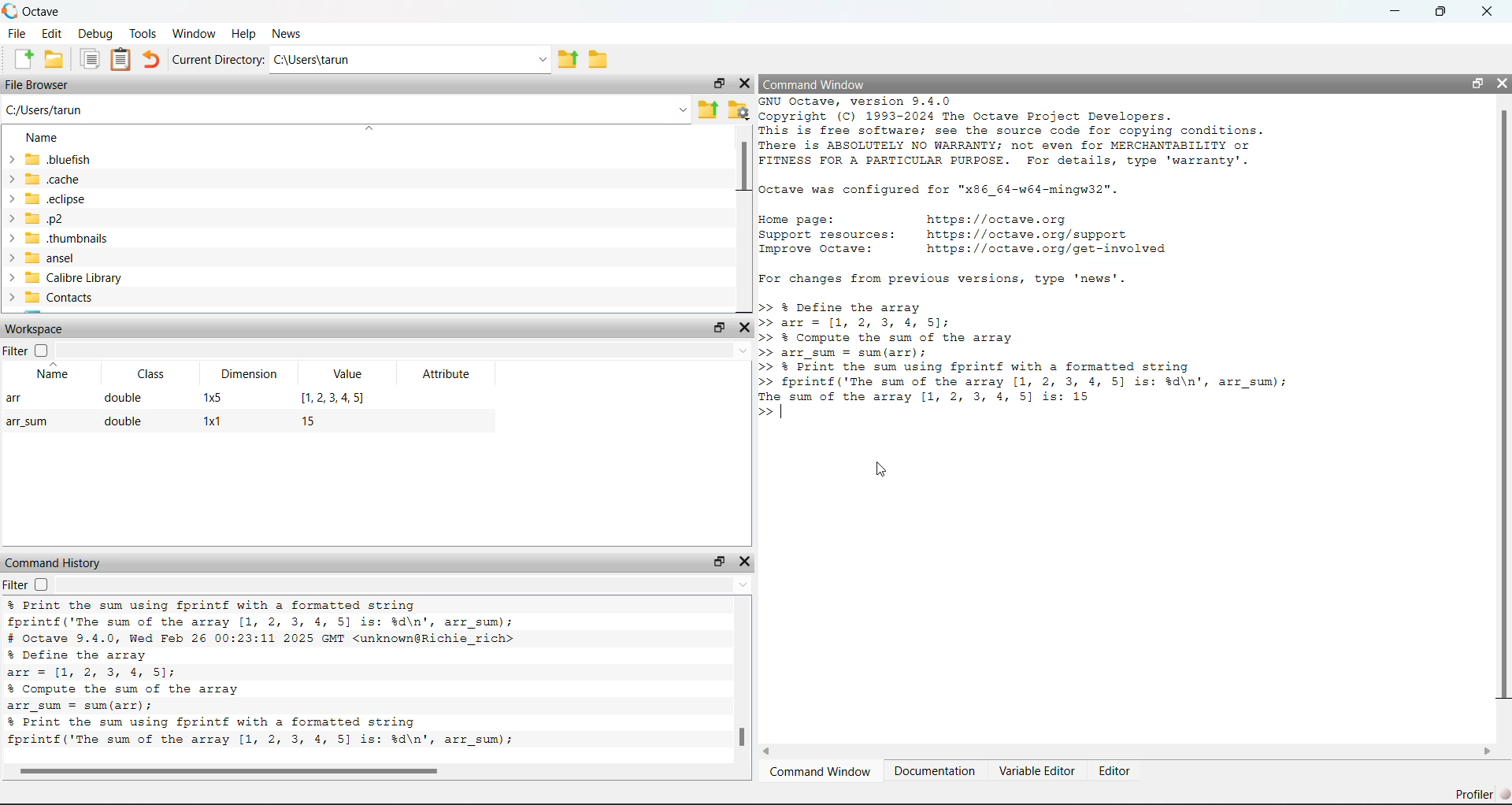 The height and width of the screenshot is (805, 1512). What do you see at coordinates (1032, 191) in the screenshot?
I see `GNU Octave, version 9.4.0

Copyright (C) 1993-2024 The Octave Project Developers.

This is free software; see the source code for copying conditions.
There is ABSOLUTELY NO WARRANTY; not even for MERCHANTABILITY or
FITNESS FOR A PARTICULAR PURPOSE. For details, type 'warranty'.
Octave was configured for "x86_64-w64-mingw32".

Home page: https: //octave.org

Support resources: https: //octave.org/support

Improve Octave: https://octave.org/get-involved

For changes from previous versions, type ‘news’.` at bounding box center [1032, 191].